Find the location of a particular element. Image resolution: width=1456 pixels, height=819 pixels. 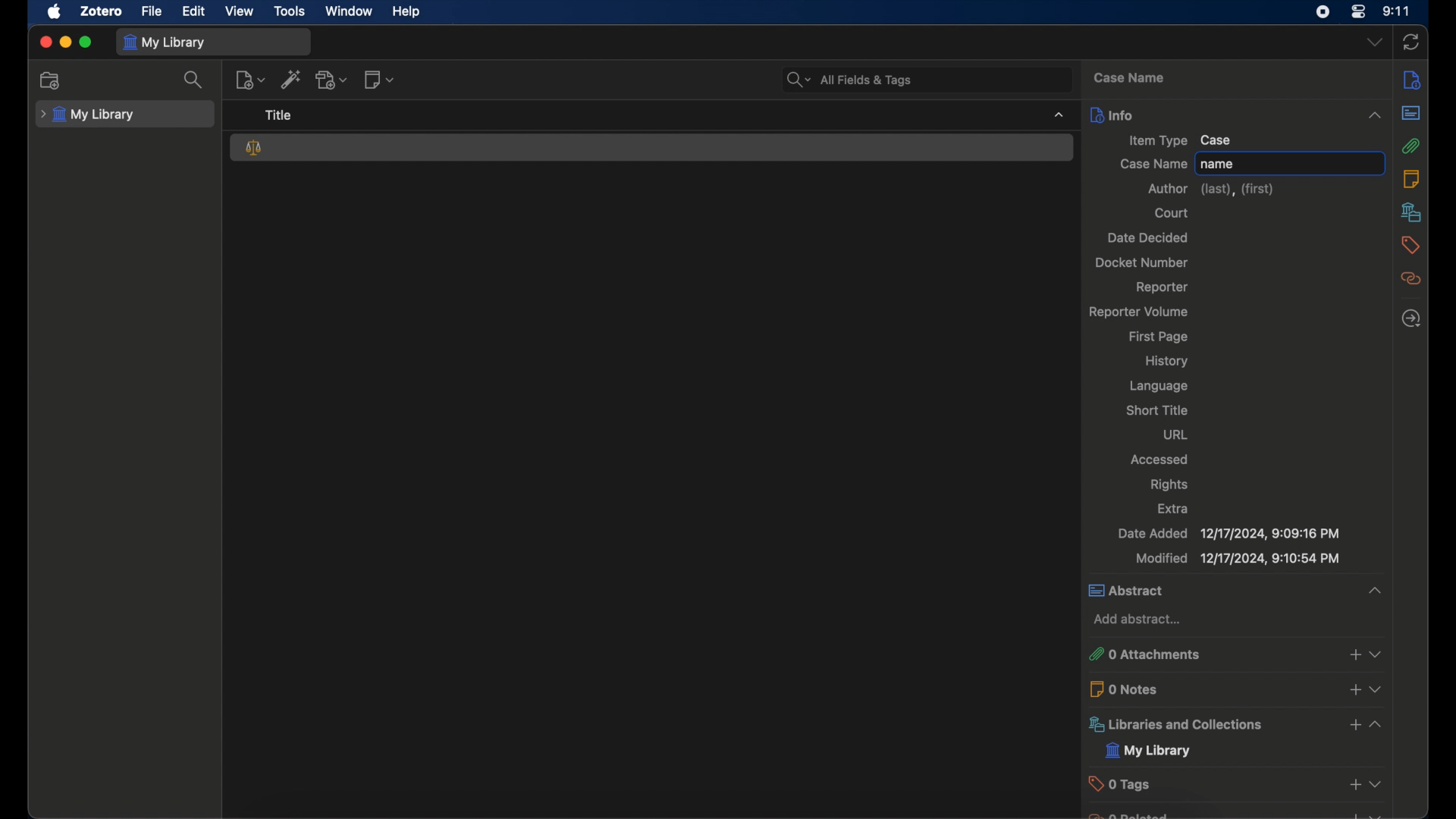

author is located at coordinates (1212, 189).